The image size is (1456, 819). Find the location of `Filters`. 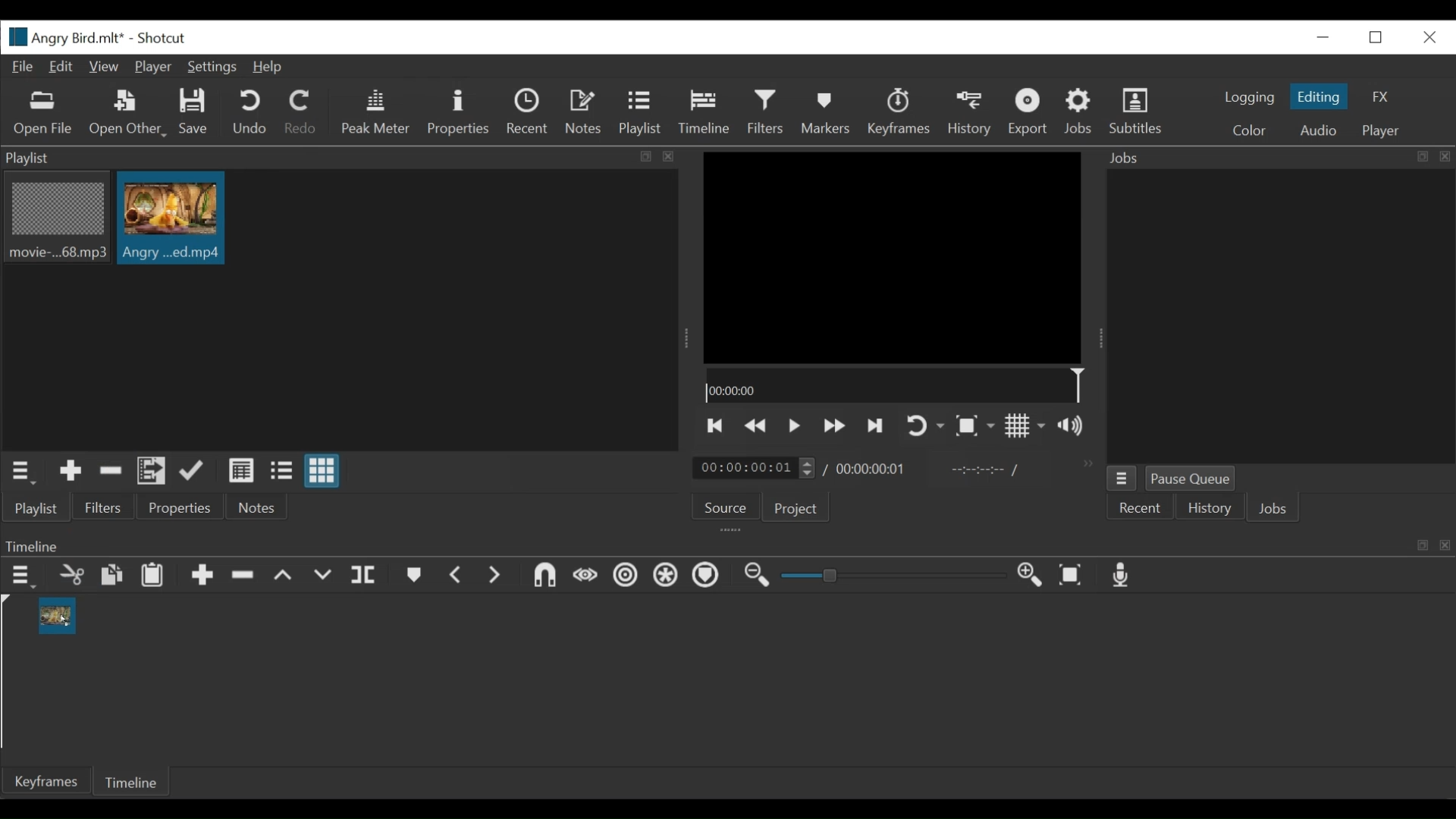

Filters is located at coordinates (766, 113).